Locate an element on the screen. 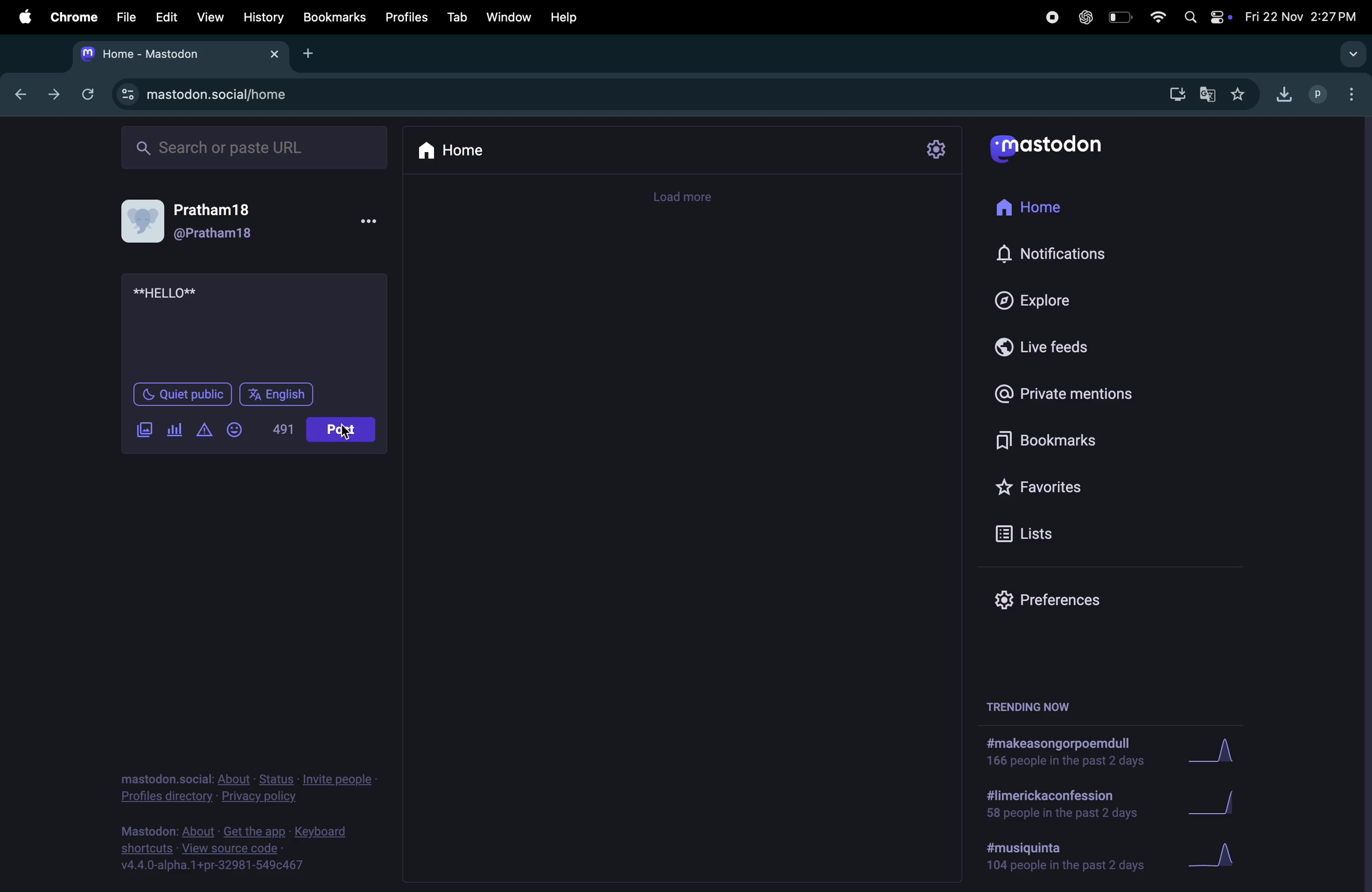 This screenshot has height=892, width=1372. quiet public is located at coordinates (183, 395).